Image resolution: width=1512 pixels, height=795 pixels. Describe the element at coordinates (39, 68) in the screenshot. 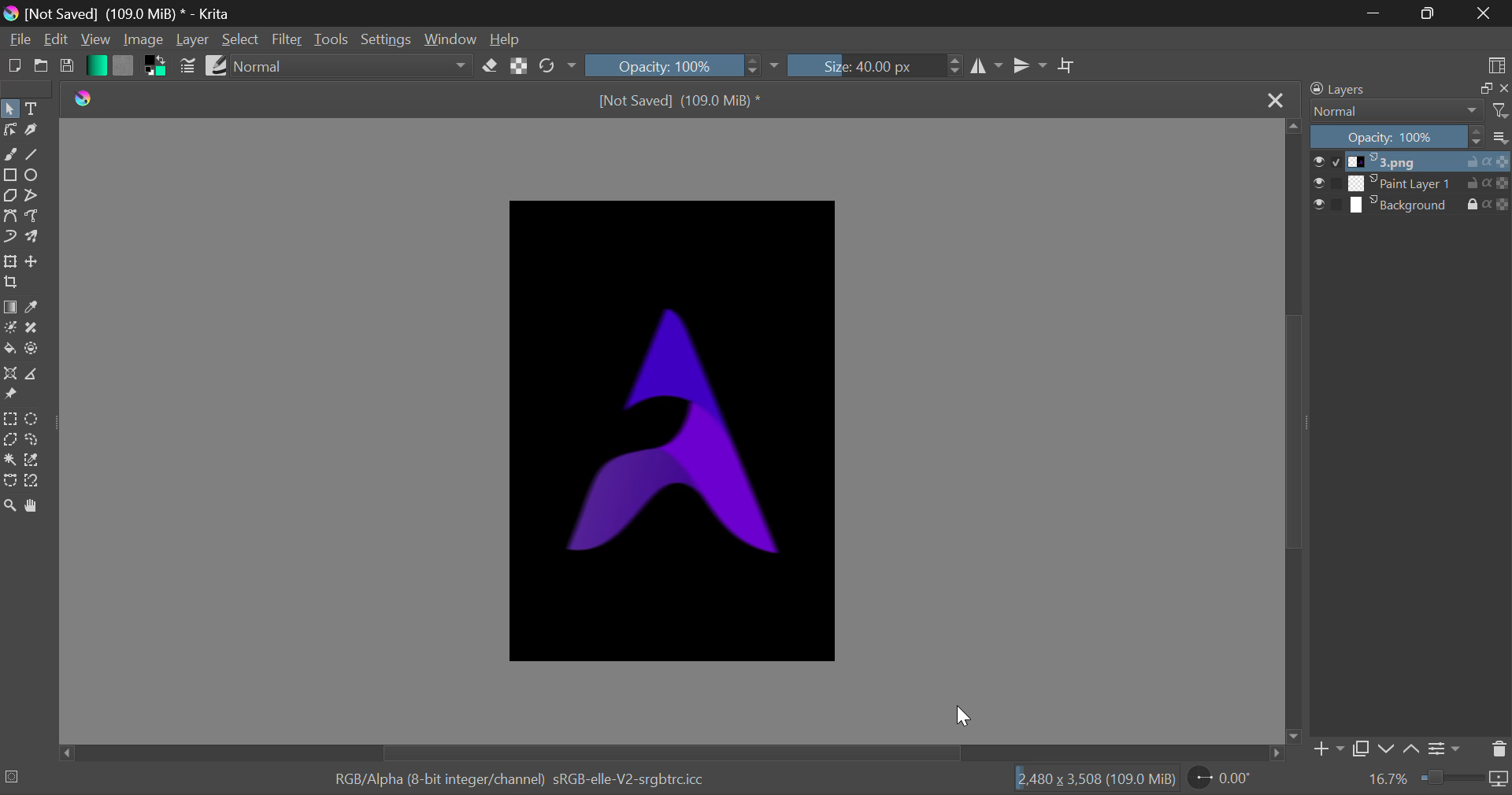

I see `Open` at that location.